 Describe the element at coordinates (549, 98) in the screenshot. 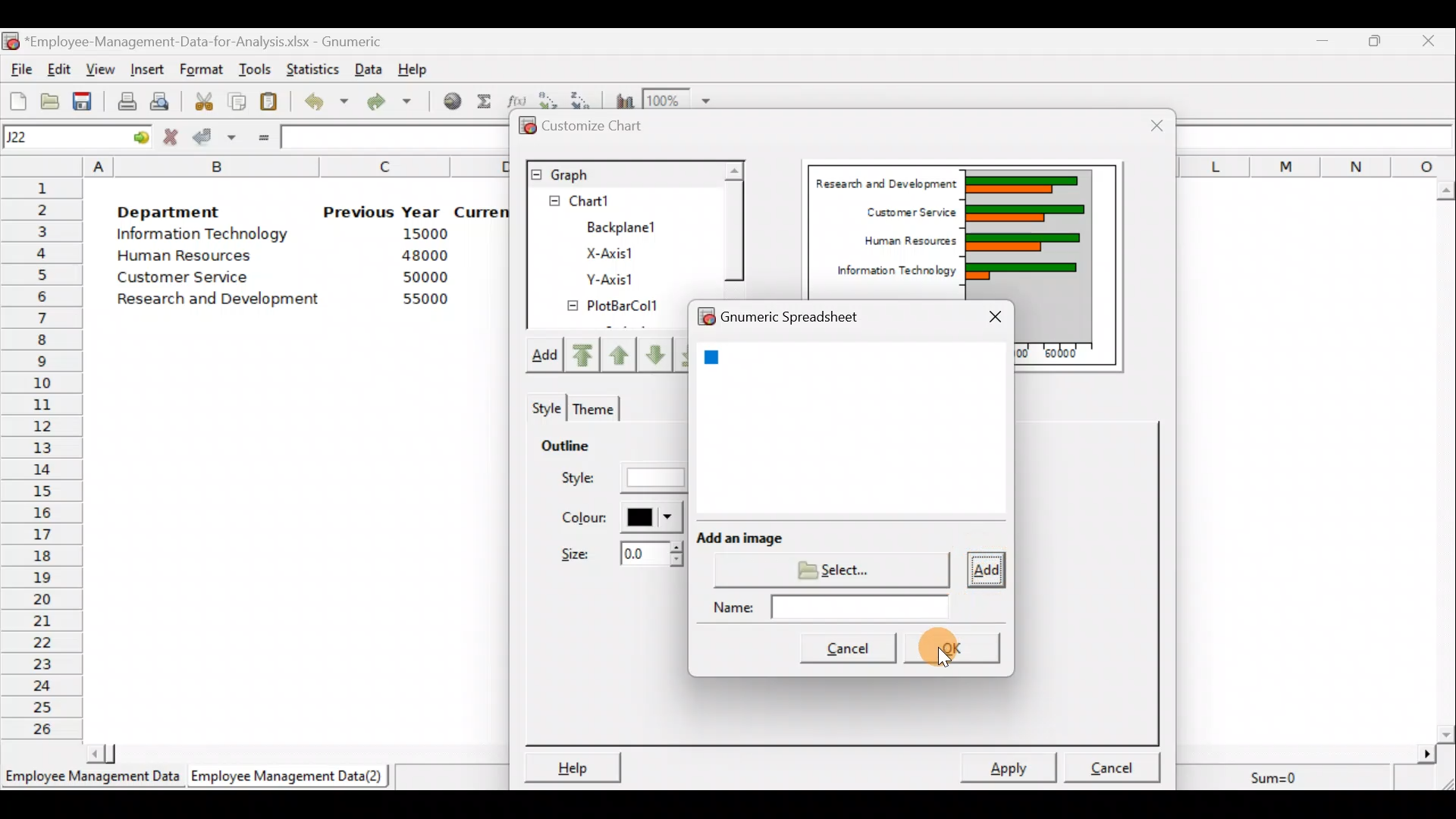

I see `Sort in Ascending order` at that location.